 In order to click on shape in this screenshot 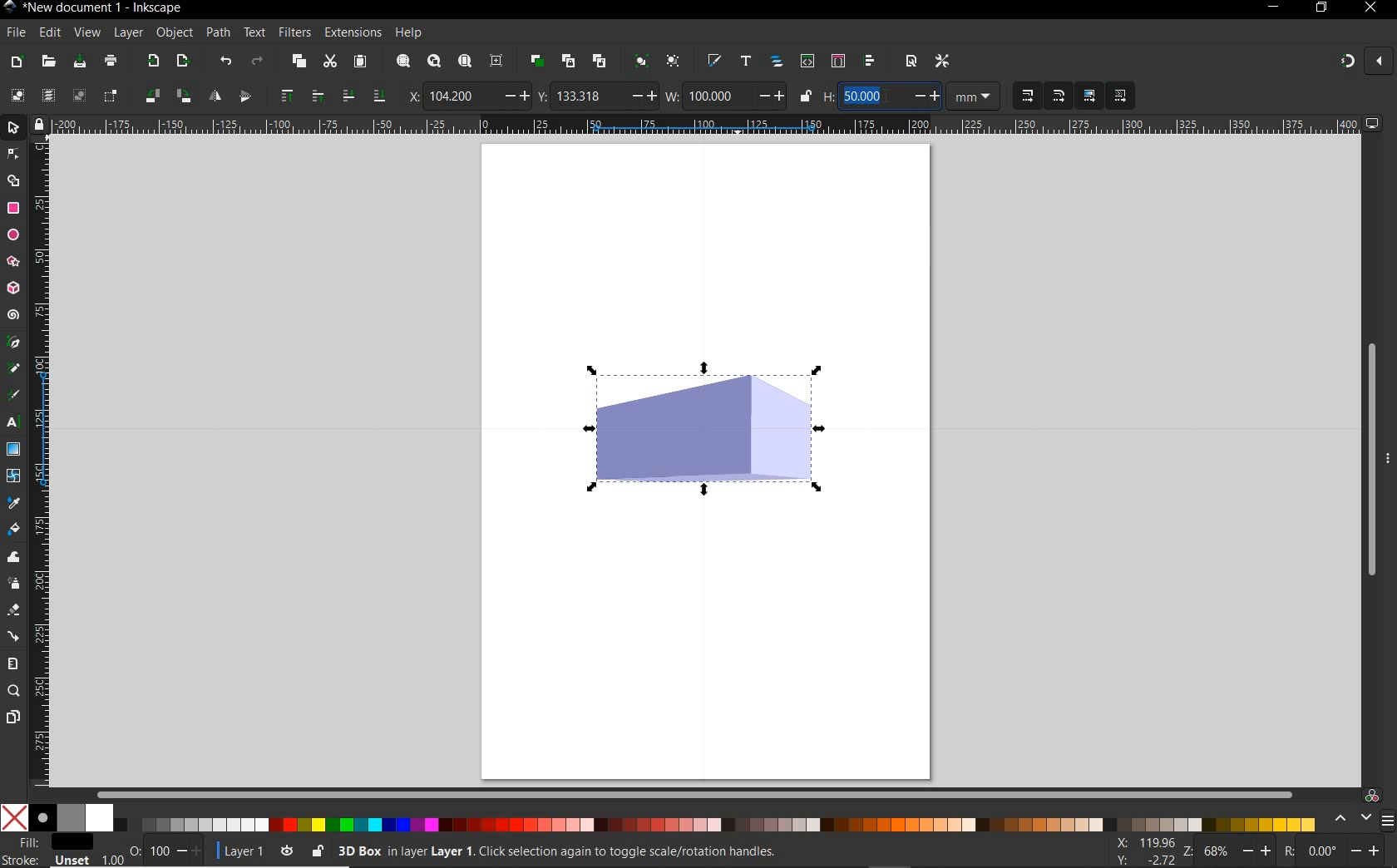, I will do `click(708, 430)`.